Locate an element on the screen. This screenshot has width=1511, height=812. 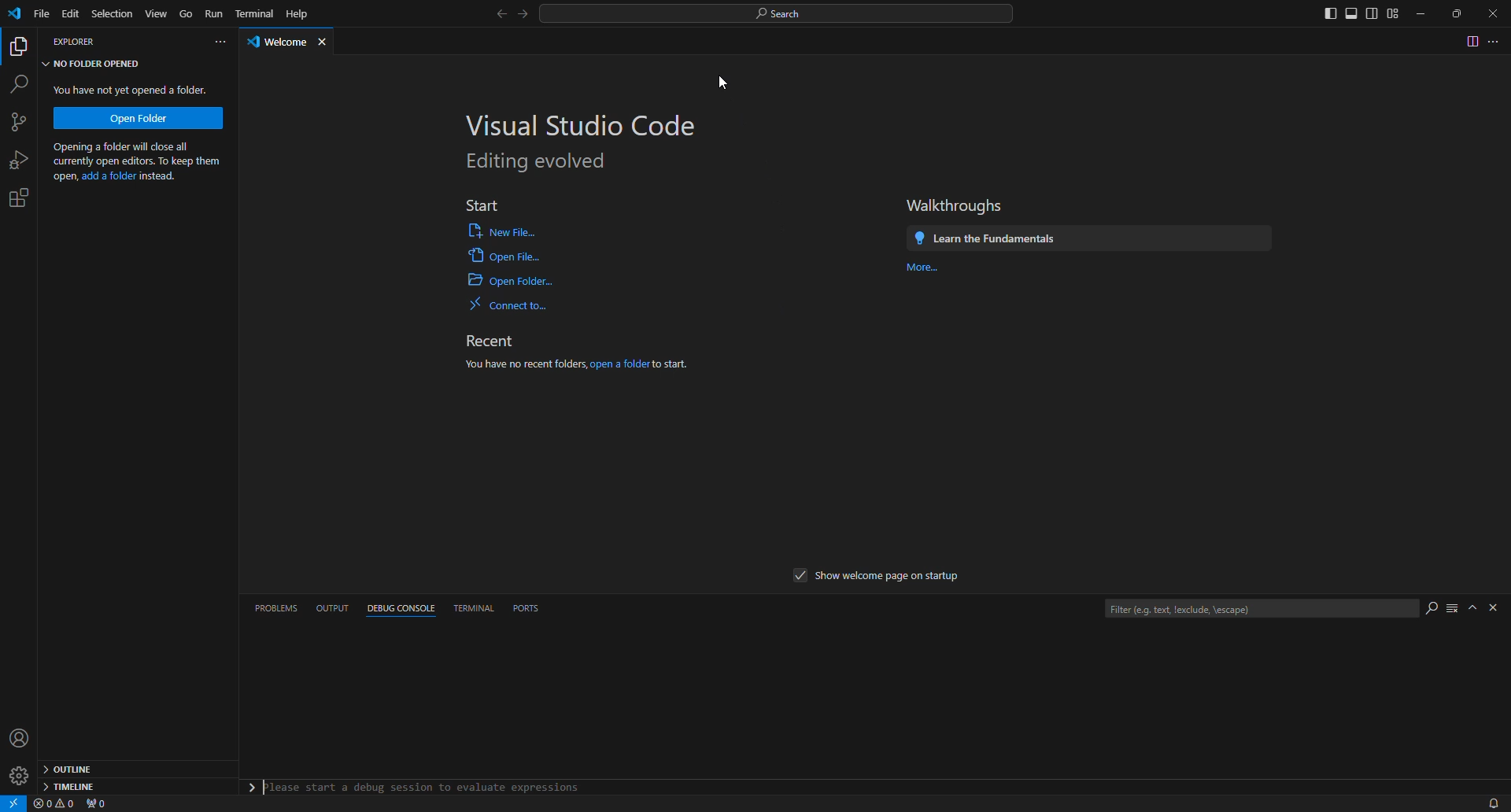
minimize is located at coordinates (1424, 15).